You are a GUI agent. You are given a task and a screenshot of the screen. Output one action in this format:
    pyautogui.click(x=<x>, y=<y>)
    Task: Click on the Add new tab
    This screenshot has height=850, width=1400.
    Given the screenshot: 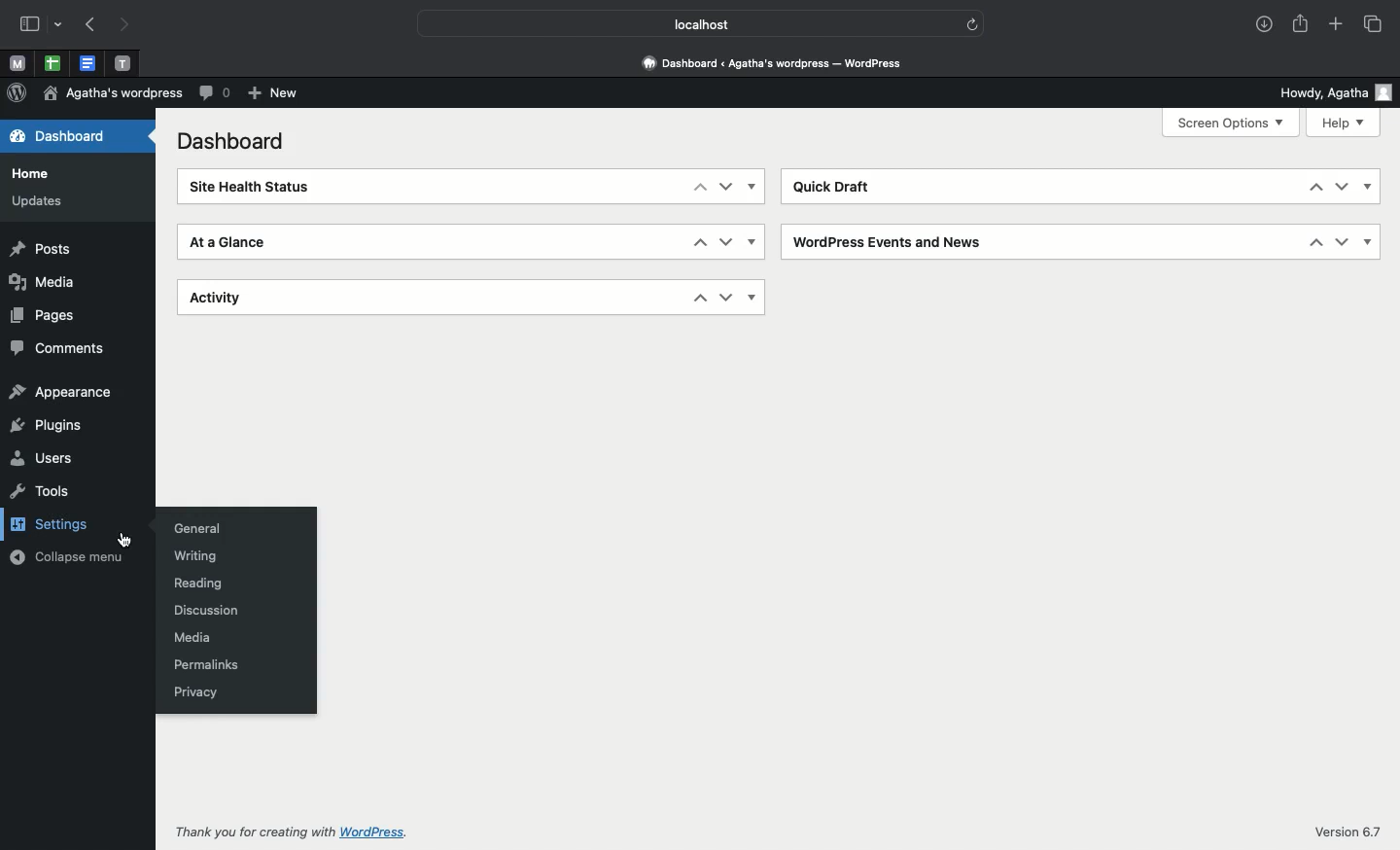 What is the action you would take?
    pyautogui.click(x=1336, y=19)
    